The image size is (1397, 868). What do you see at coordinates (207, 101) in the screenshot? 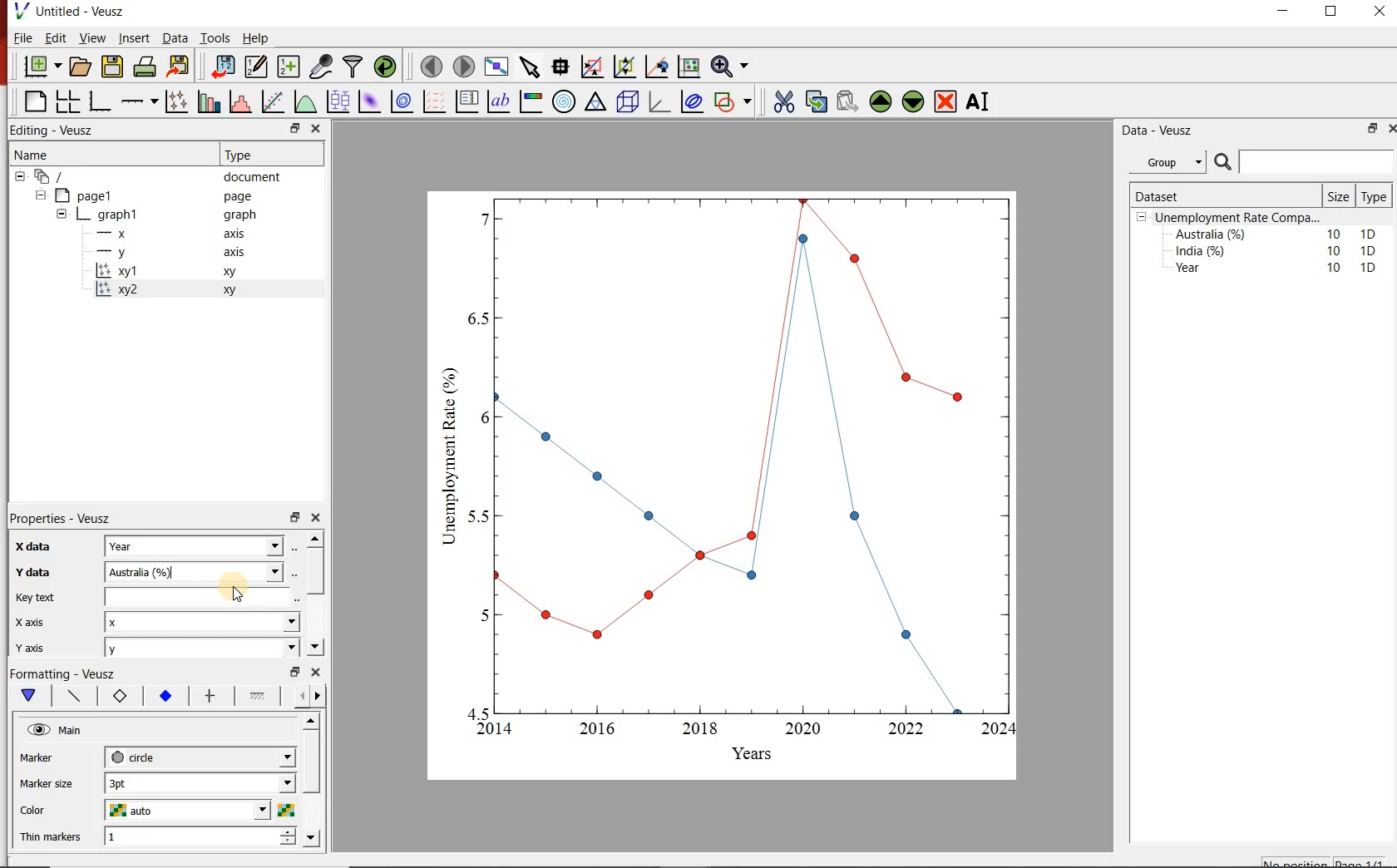
I see `bar graphs` at bounding box center [207, 101].